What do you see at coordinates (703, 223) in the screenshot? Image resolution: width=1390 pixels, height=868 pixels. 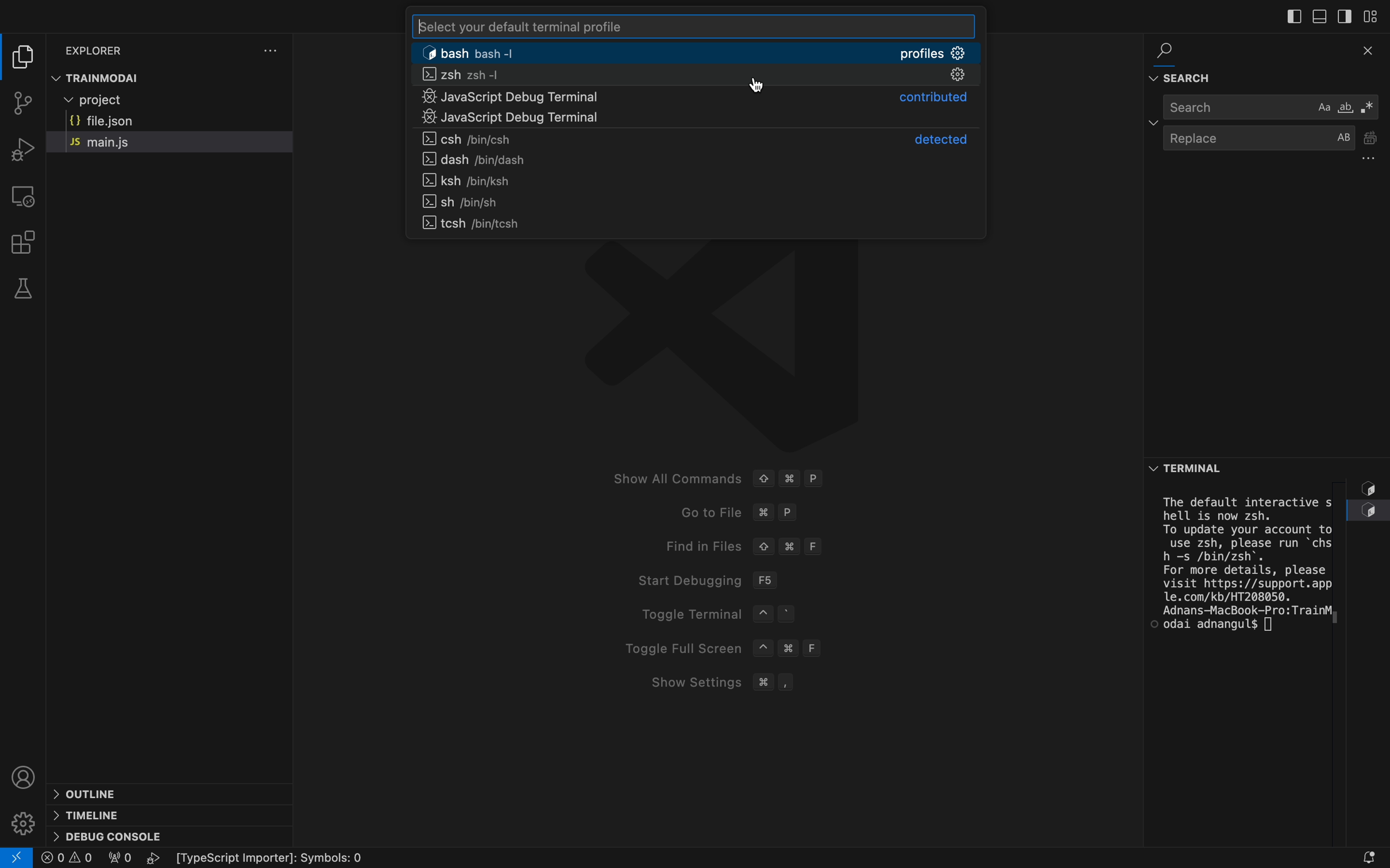 I see `` at bounding box center [703, 223].